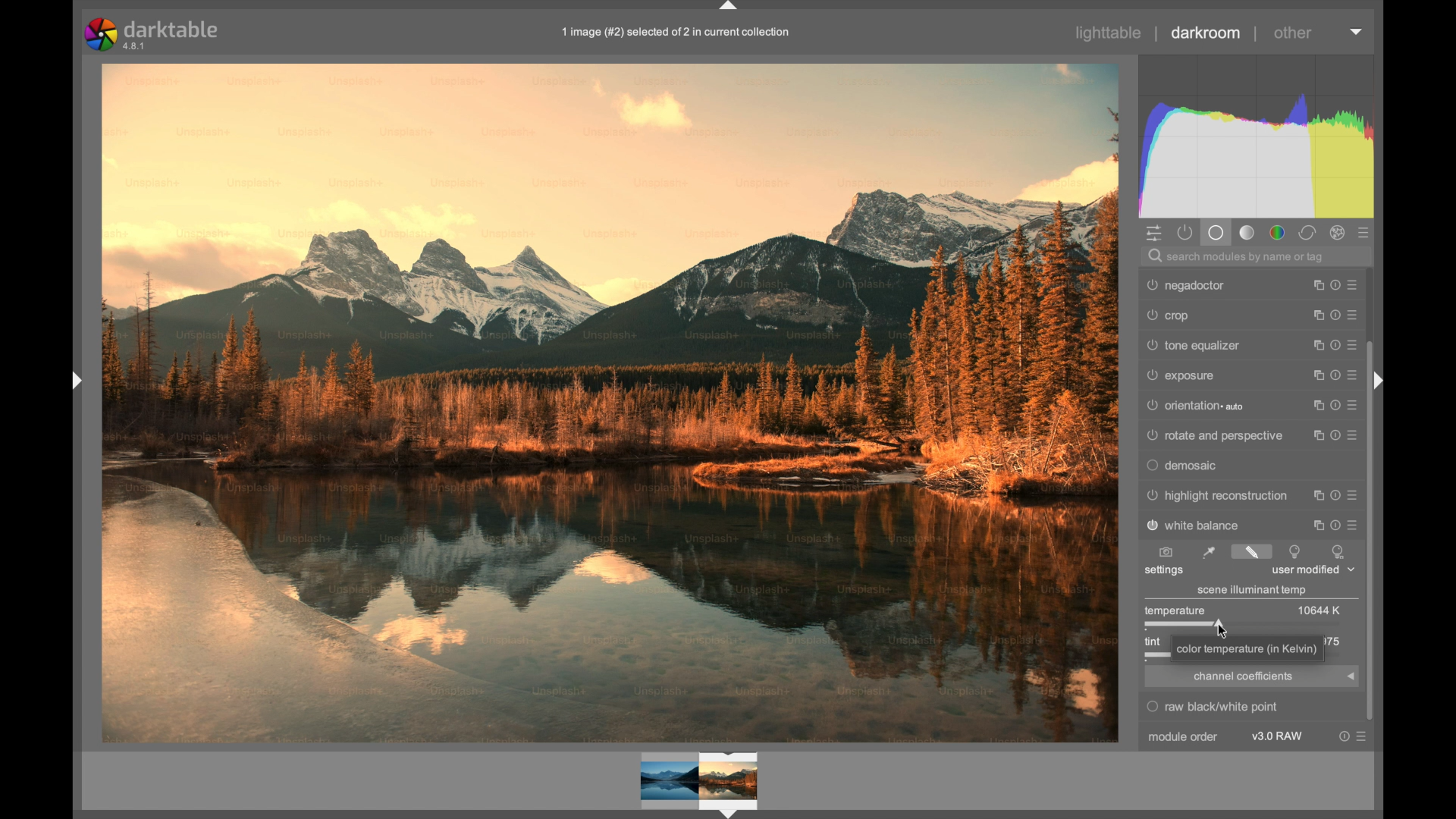 This screenshot has width=1456, height=819. What do you see at coordinates (1336, 640) in the screenshot?
I see `75` at bounding box center [1336, 640].